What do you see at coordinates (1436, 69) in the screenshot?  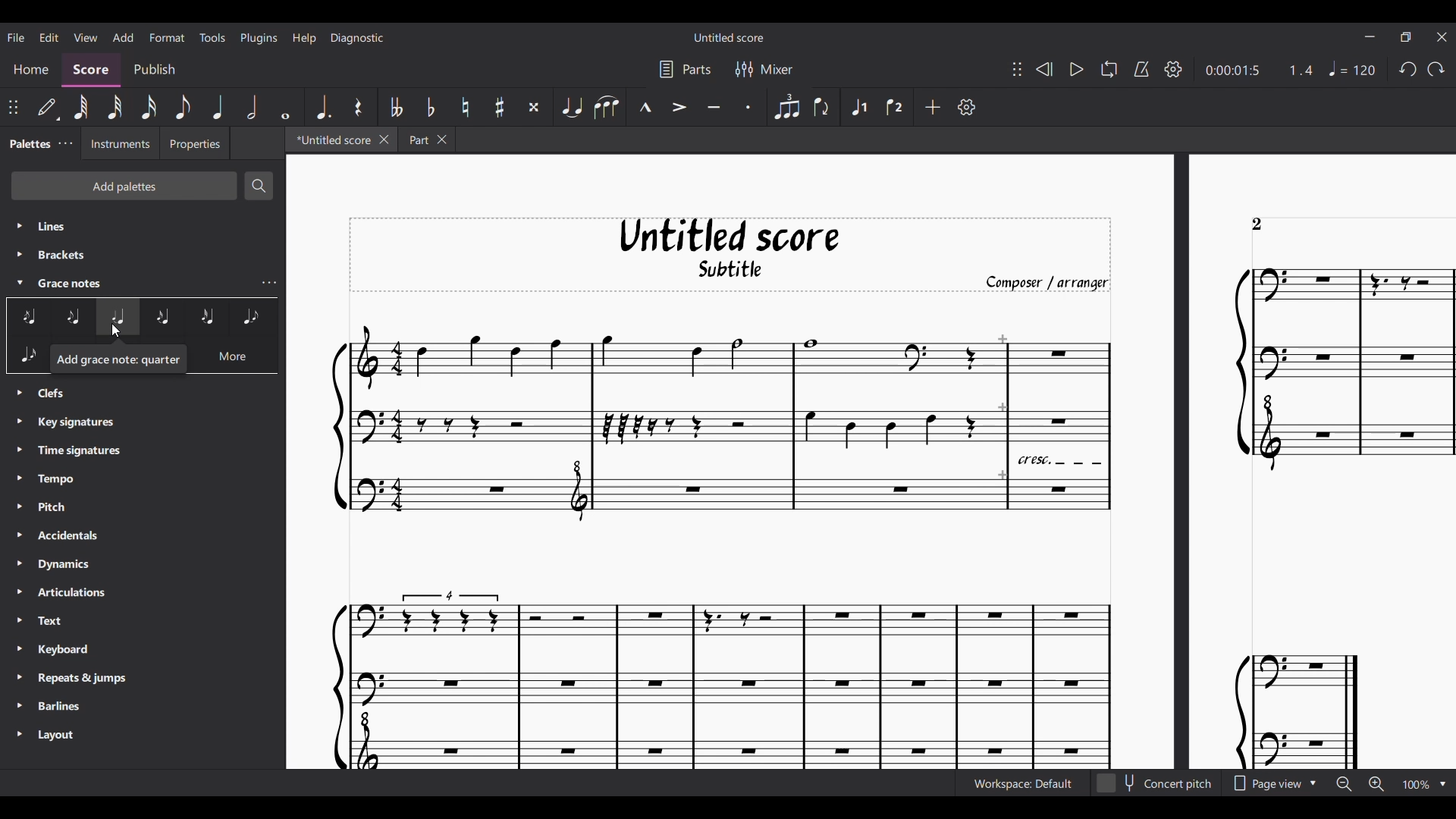 I see `Redo` at bounding box center [1436, 69].